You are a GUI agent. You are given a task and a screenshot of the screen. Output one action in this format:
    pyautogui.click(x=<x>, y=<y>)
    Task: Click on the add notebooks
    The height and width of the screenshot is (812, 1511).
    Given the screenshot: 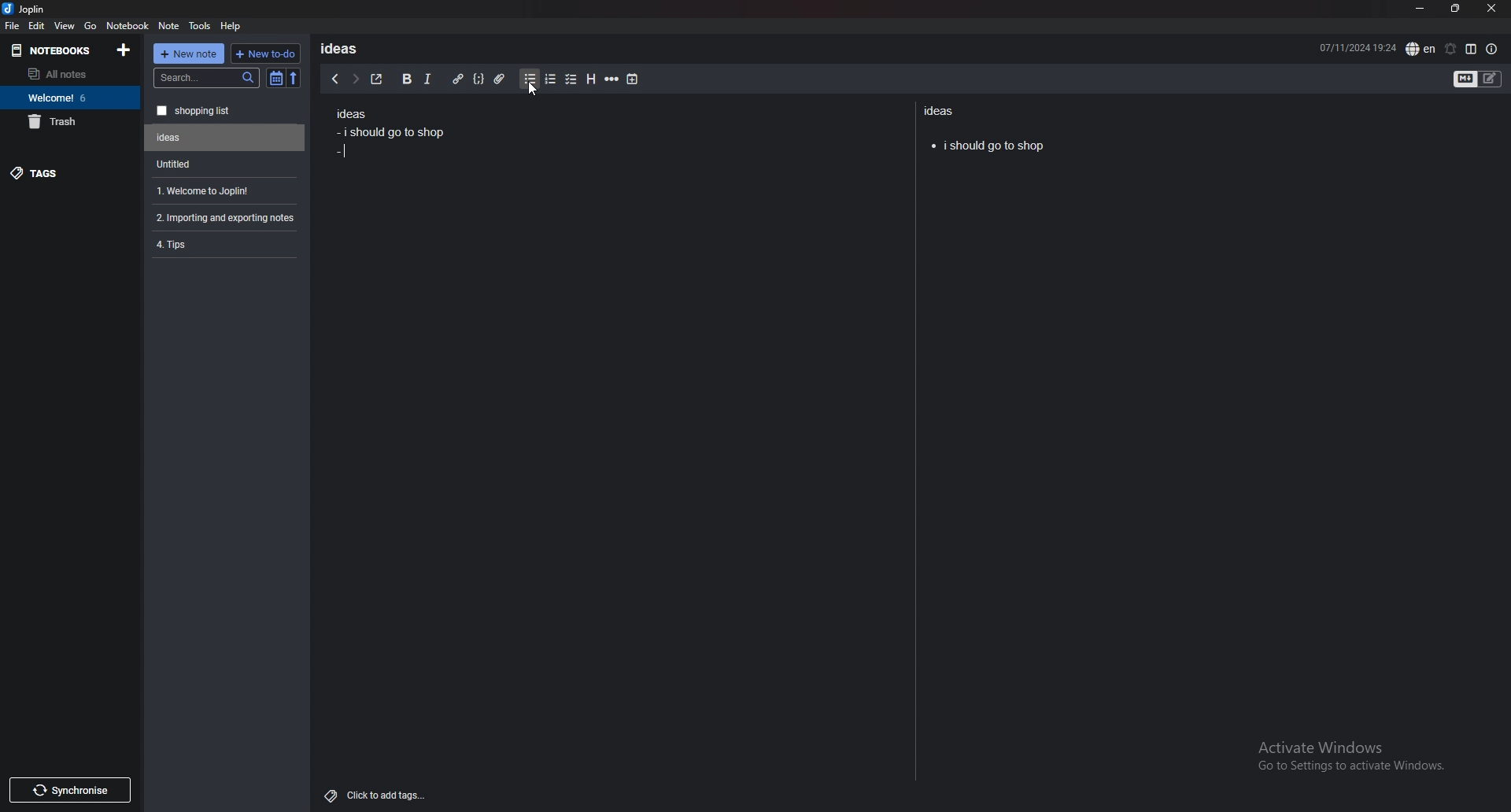 What is the action you would take?
    pyautogui.click(x=124, y=49)
    